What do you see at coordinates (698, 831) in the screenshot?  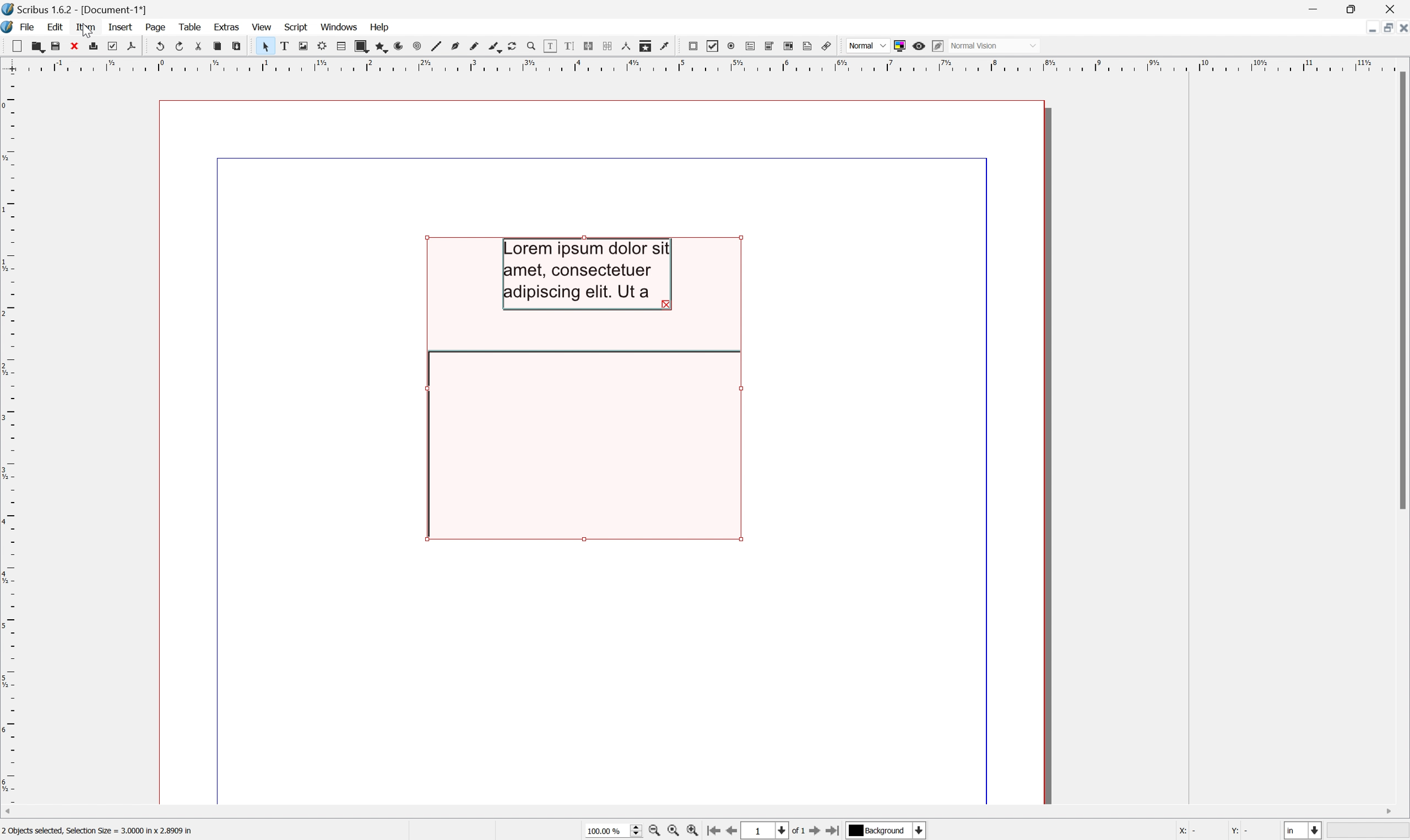 I see `Zoom in by the stepping value in tools preferences` at bounding box center [698, 831].